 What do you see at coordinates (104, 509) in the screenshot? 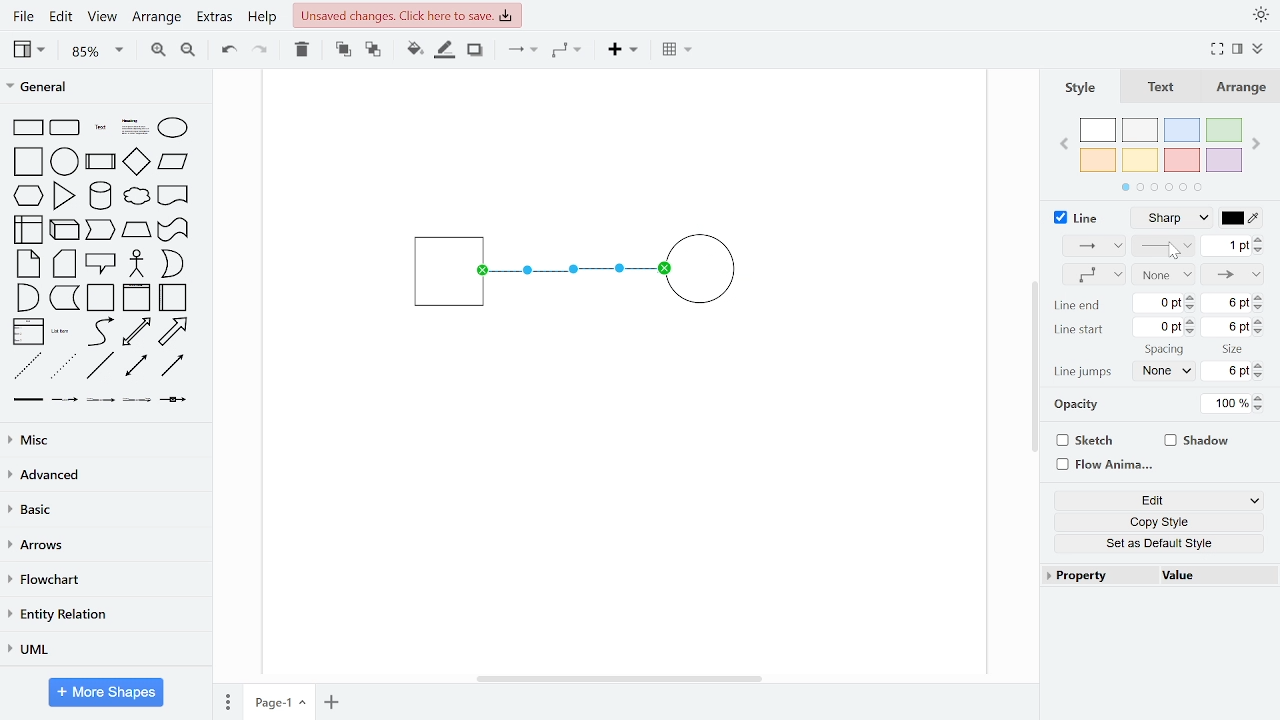
I see `basic` at bounding box center [104, 509].